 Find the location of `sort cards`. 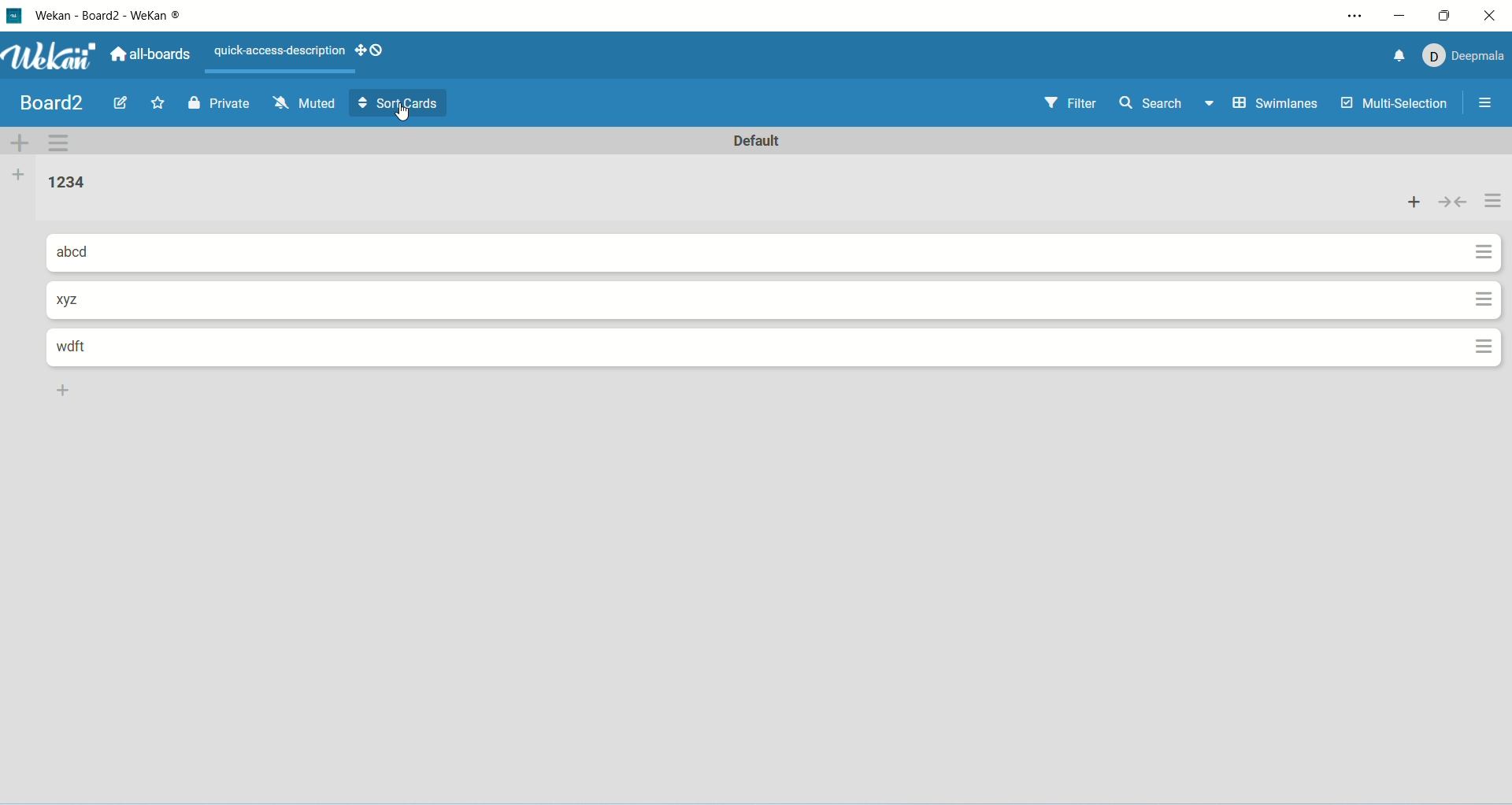

sort cards is located at coordinates (398, 104).